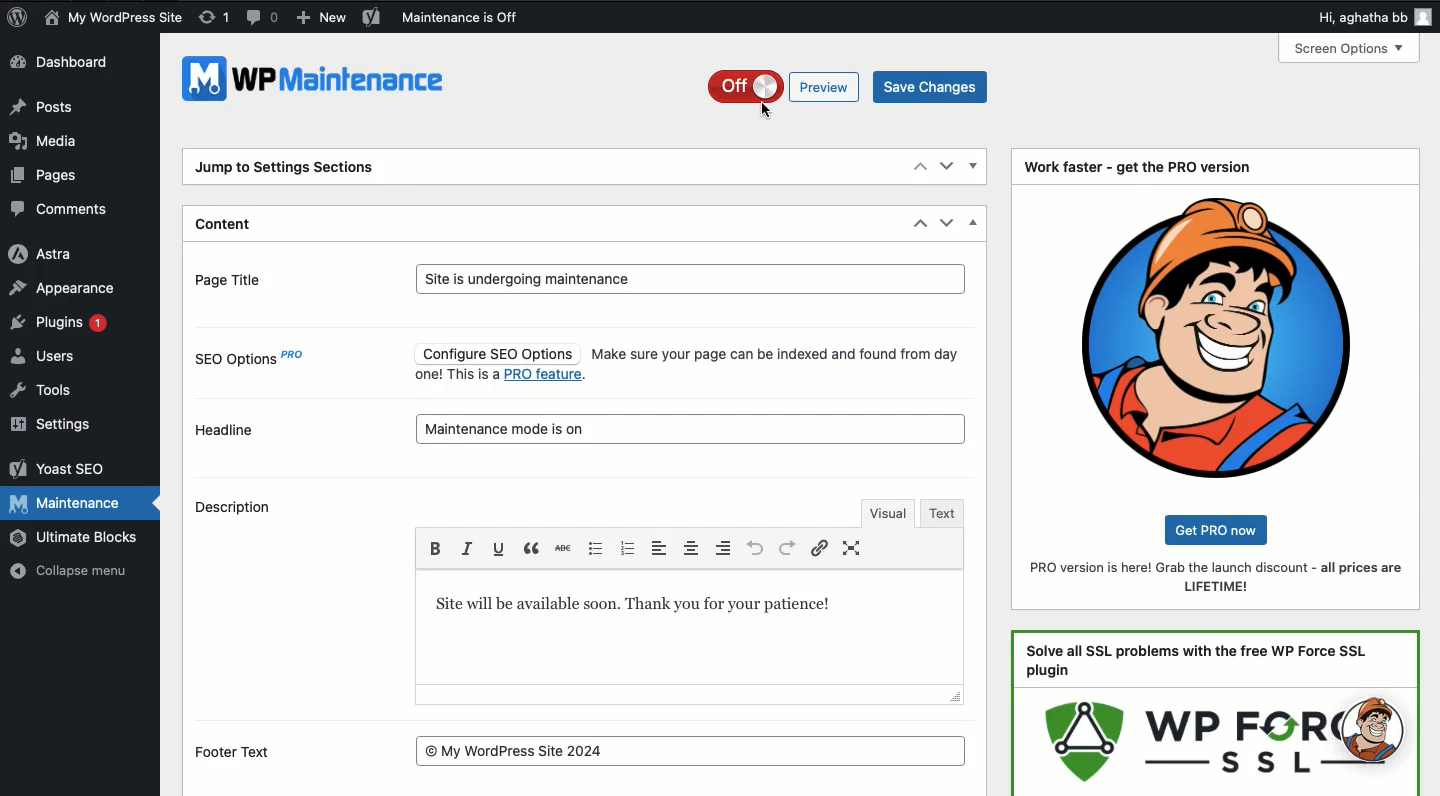  What do you see at coordinates (63, 209) in the screenshot?
I see `Comments` at bounding box center [63, 209].